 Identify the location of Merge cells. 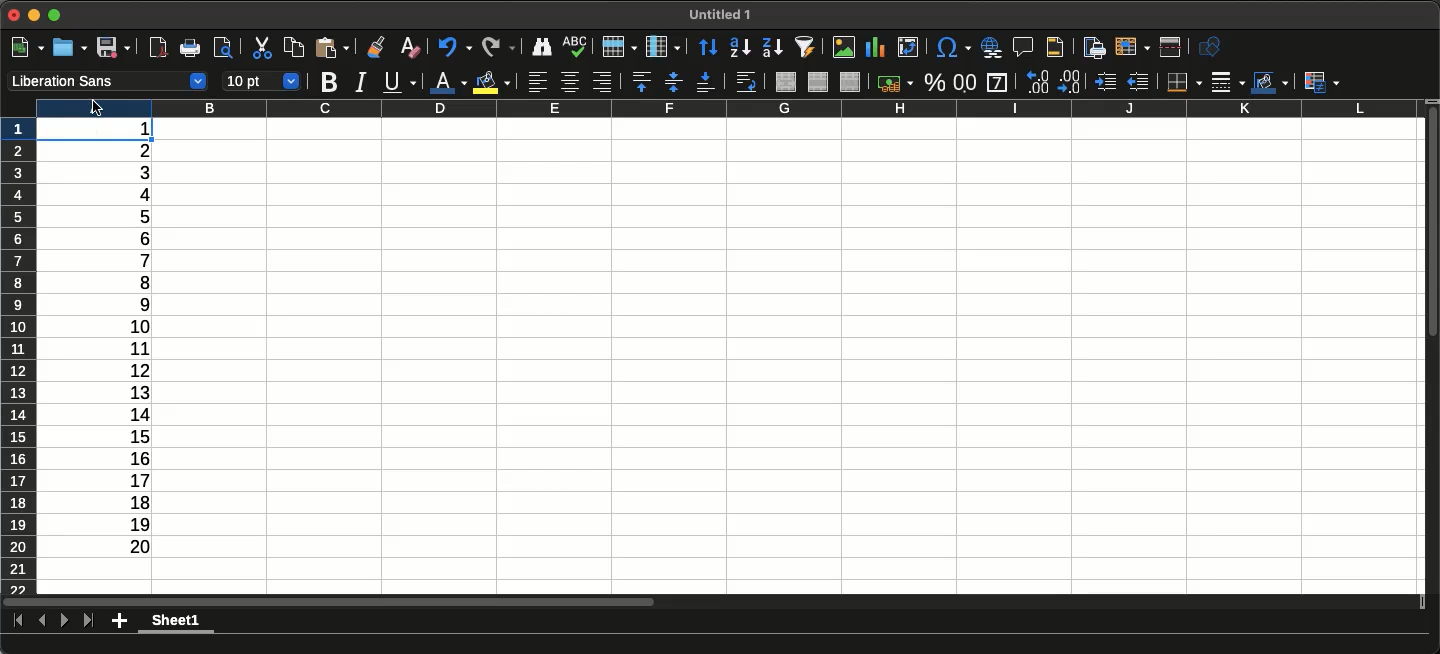
(818, 82).